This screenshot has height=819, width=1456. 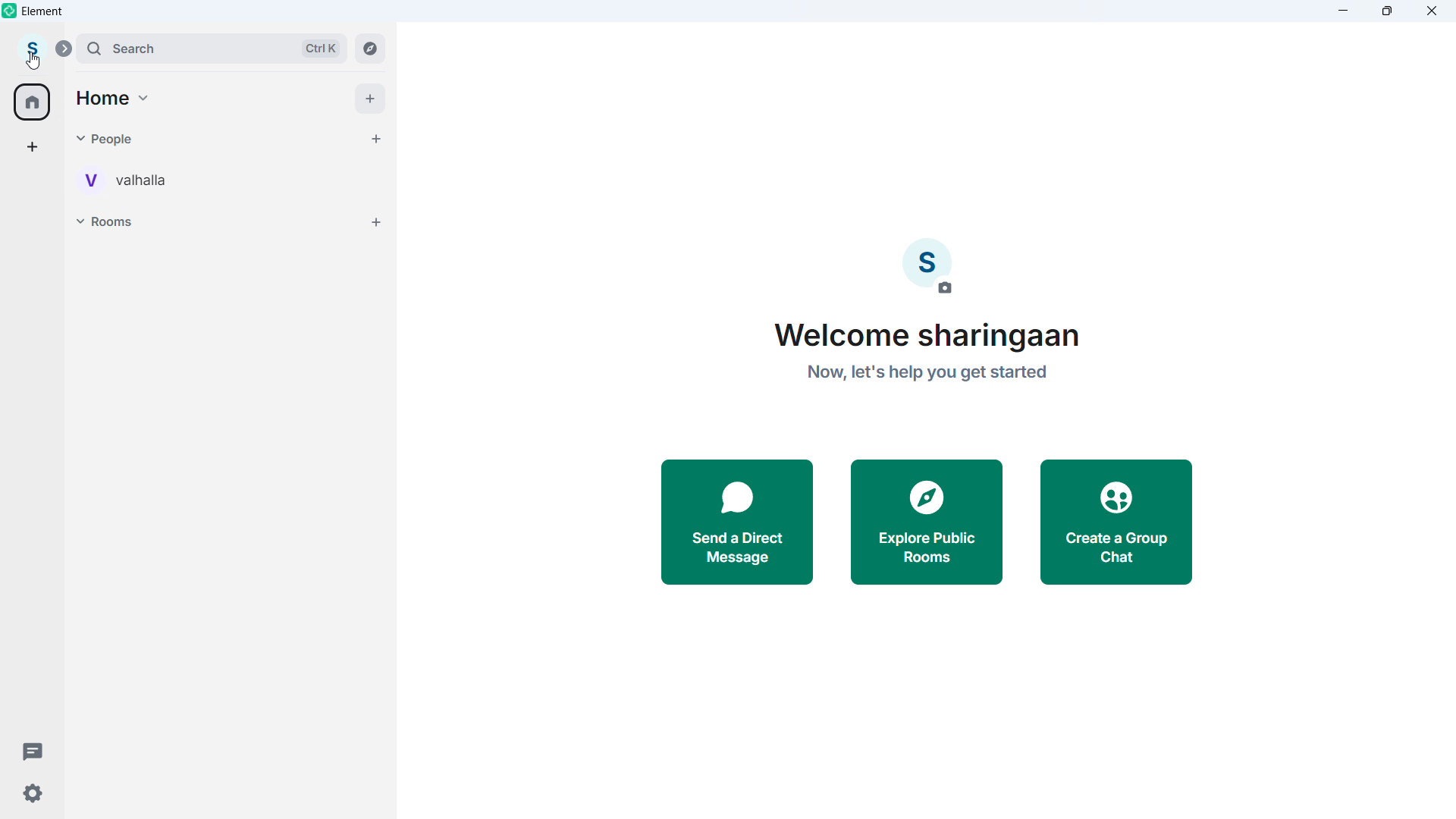 I want to click on people , so click(x=207, y=140).